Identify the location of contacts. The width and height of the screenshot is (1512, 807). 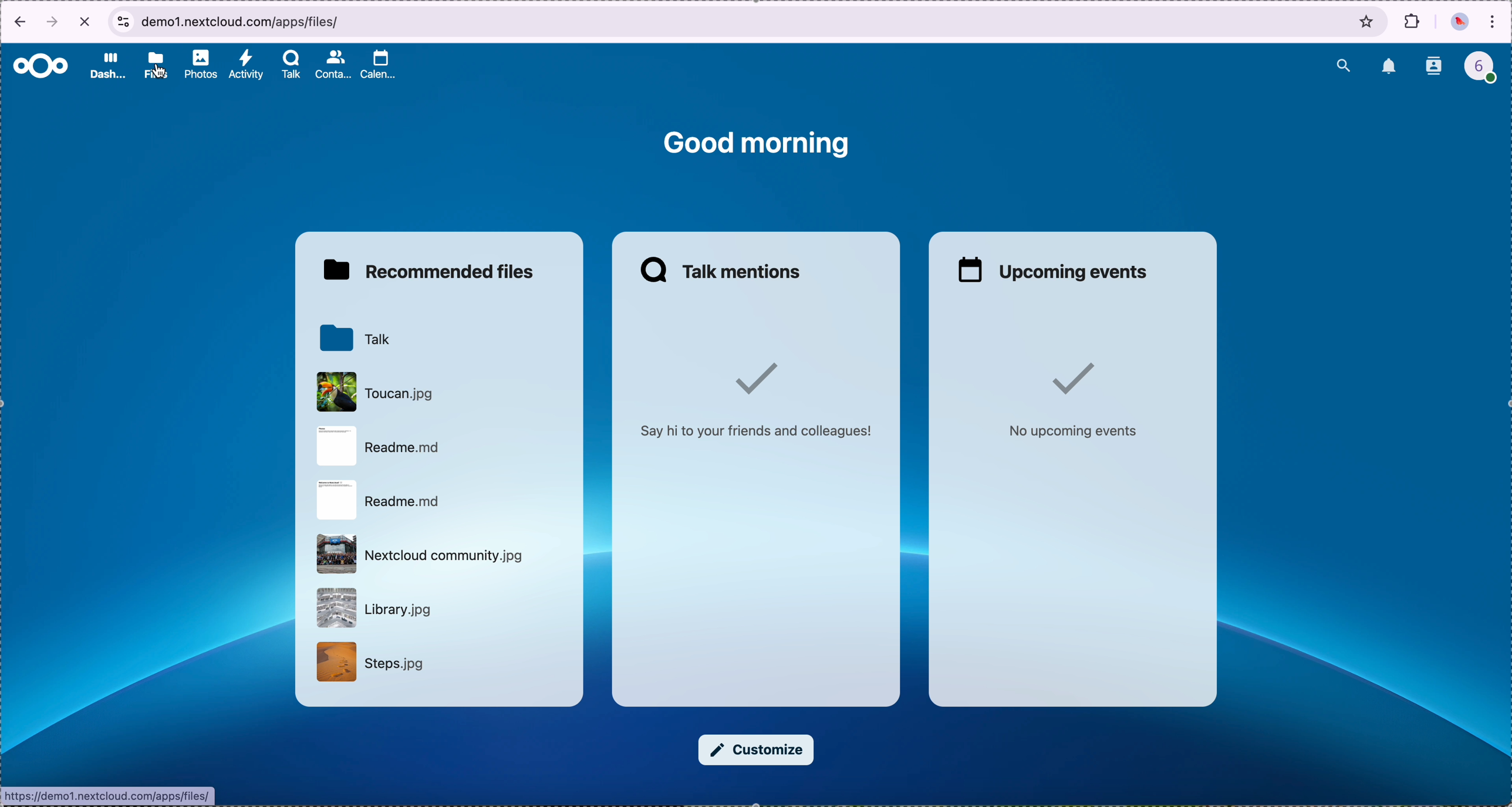
(1435, 67).